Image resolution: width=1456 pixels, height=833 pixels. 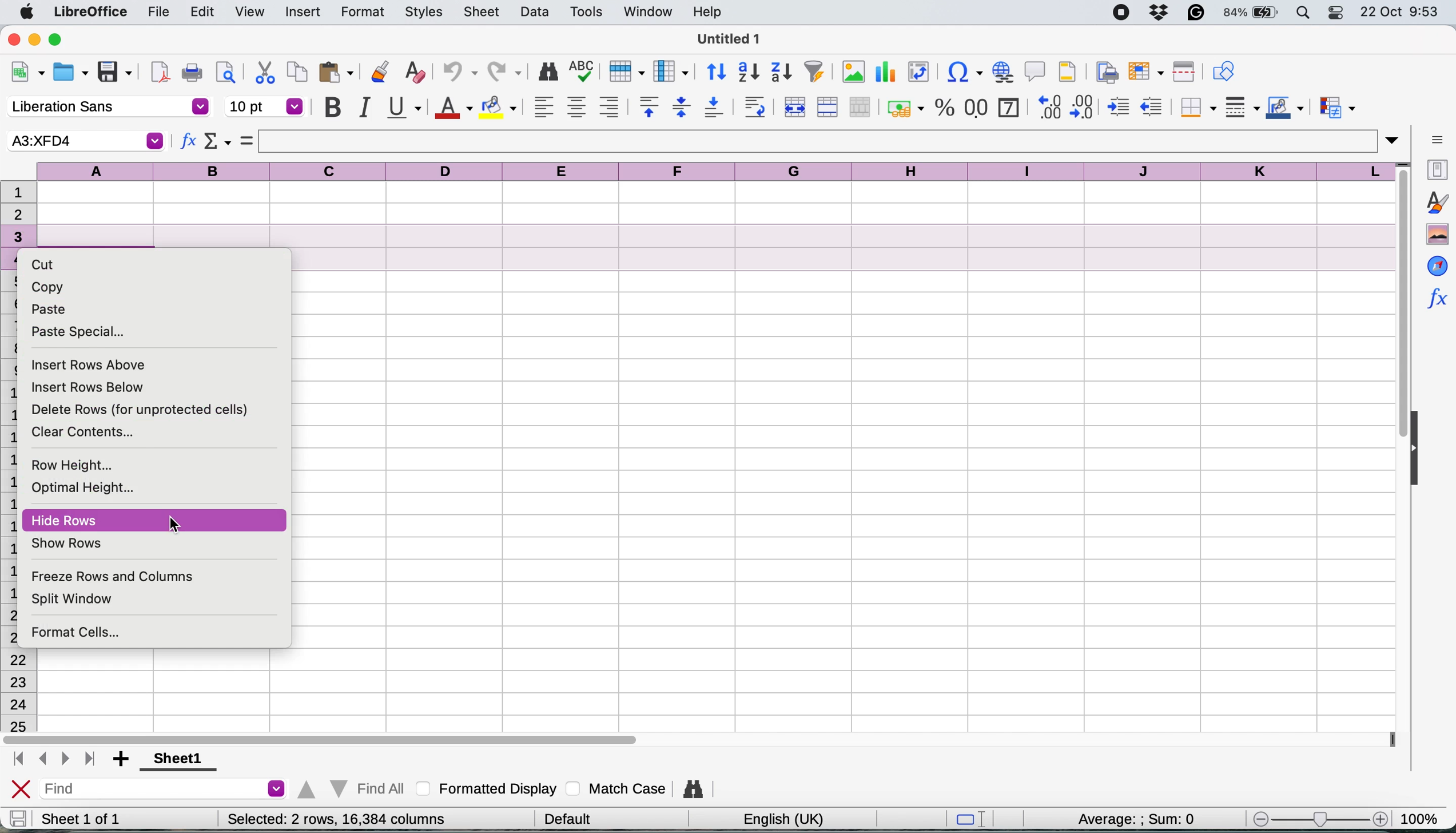 I want to click on row height, so click(x=73, y=466).